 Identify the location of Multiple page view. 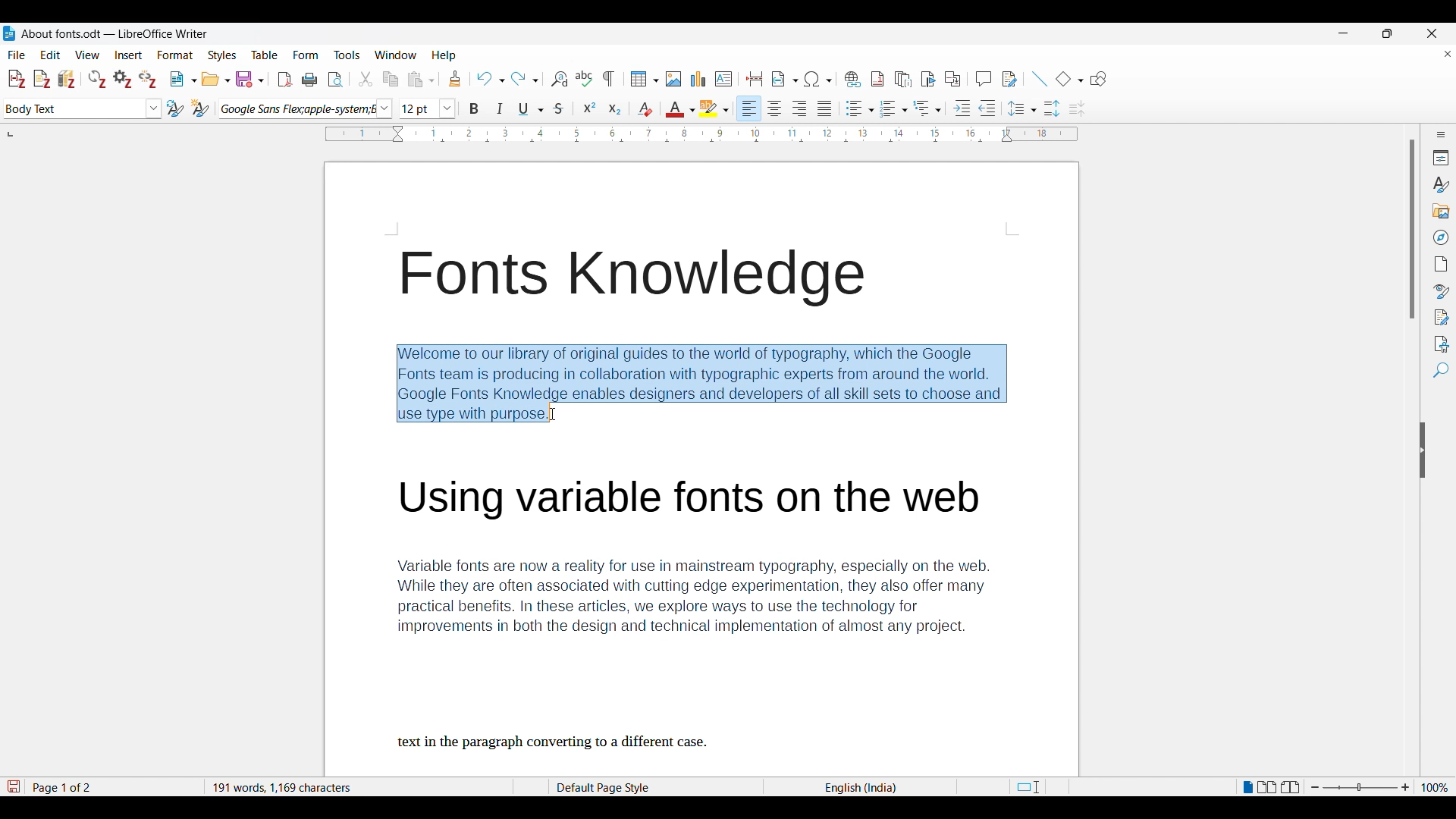
(1267, 787).